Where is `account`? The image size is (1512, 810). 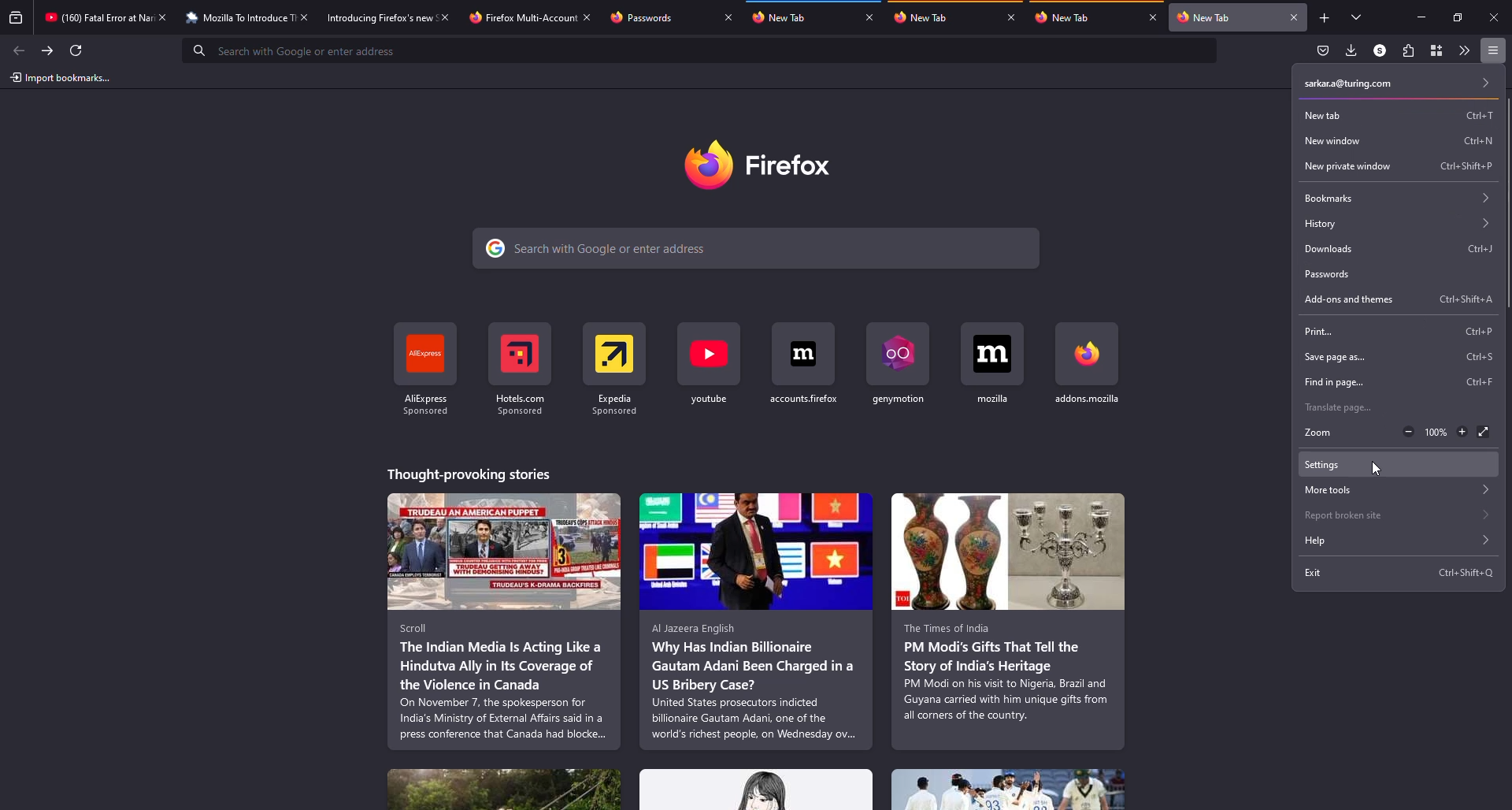 account is located at coordinates (1399, 82).